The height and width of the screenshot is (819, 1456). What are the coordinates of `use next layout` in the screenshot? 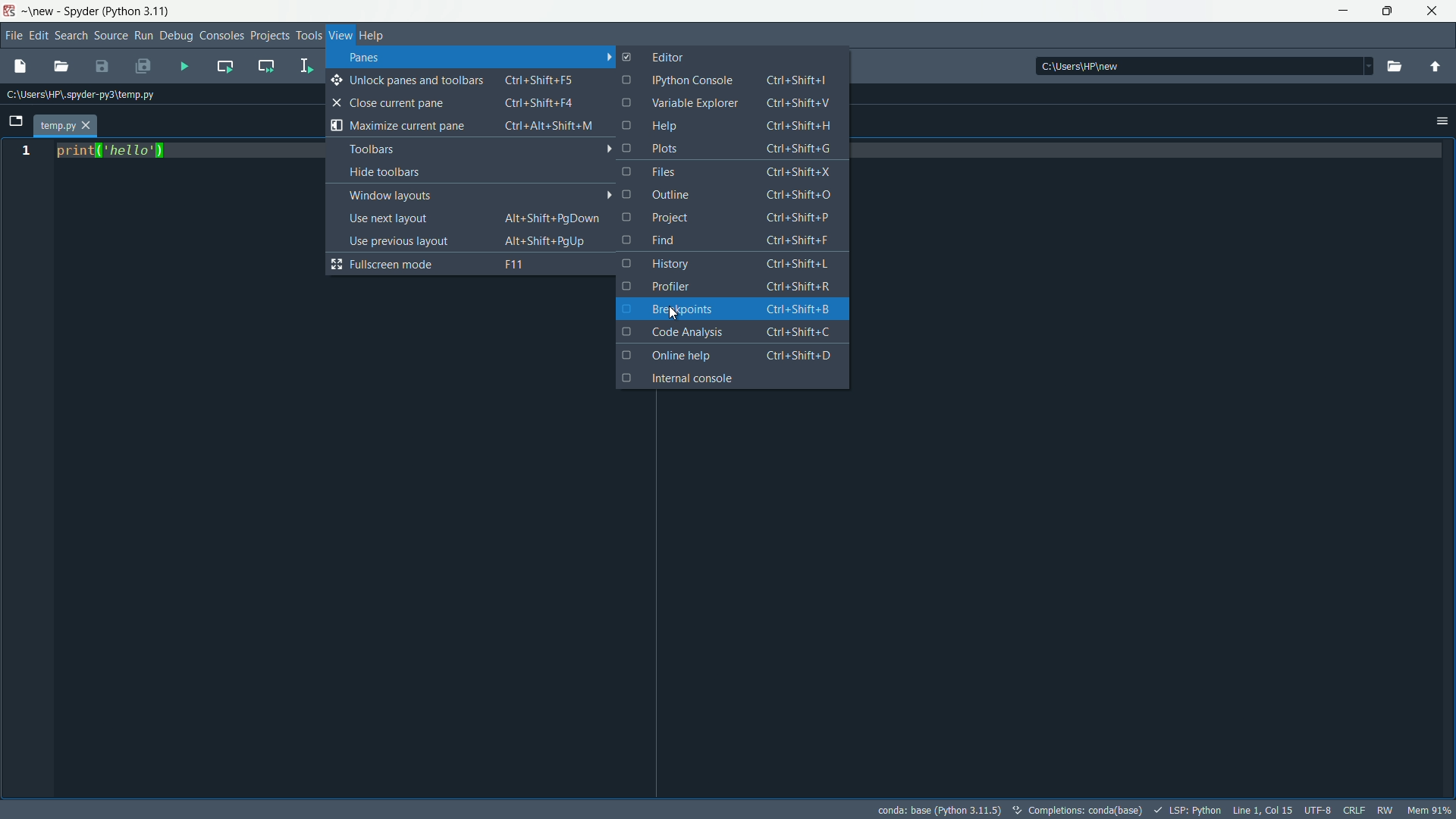 It's located at (476, 218).